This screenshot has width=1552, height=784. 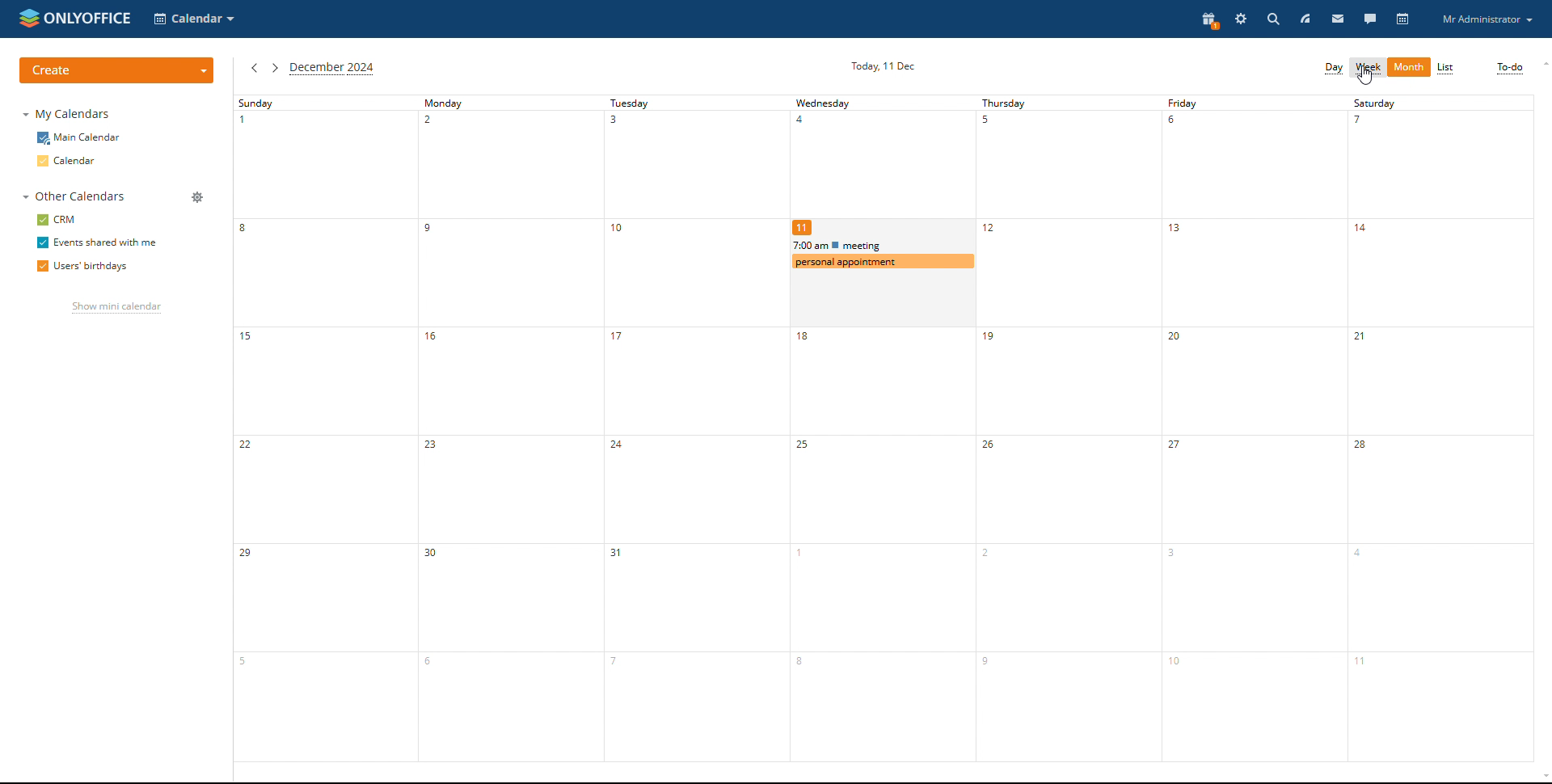 I want to click on events, so click(x=880, y=244).